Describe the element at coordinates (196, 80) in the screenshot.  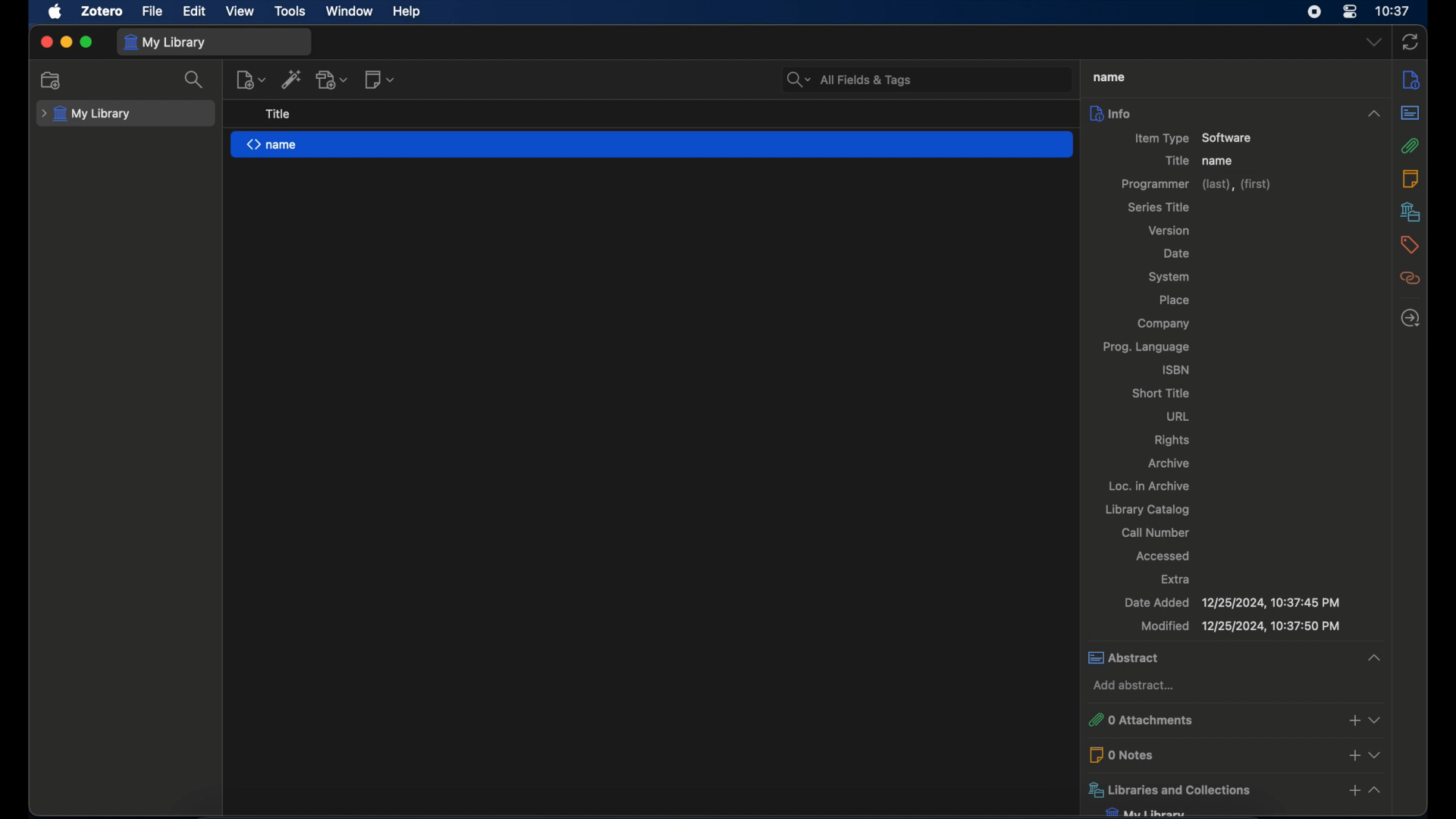
I see `search` at that location.